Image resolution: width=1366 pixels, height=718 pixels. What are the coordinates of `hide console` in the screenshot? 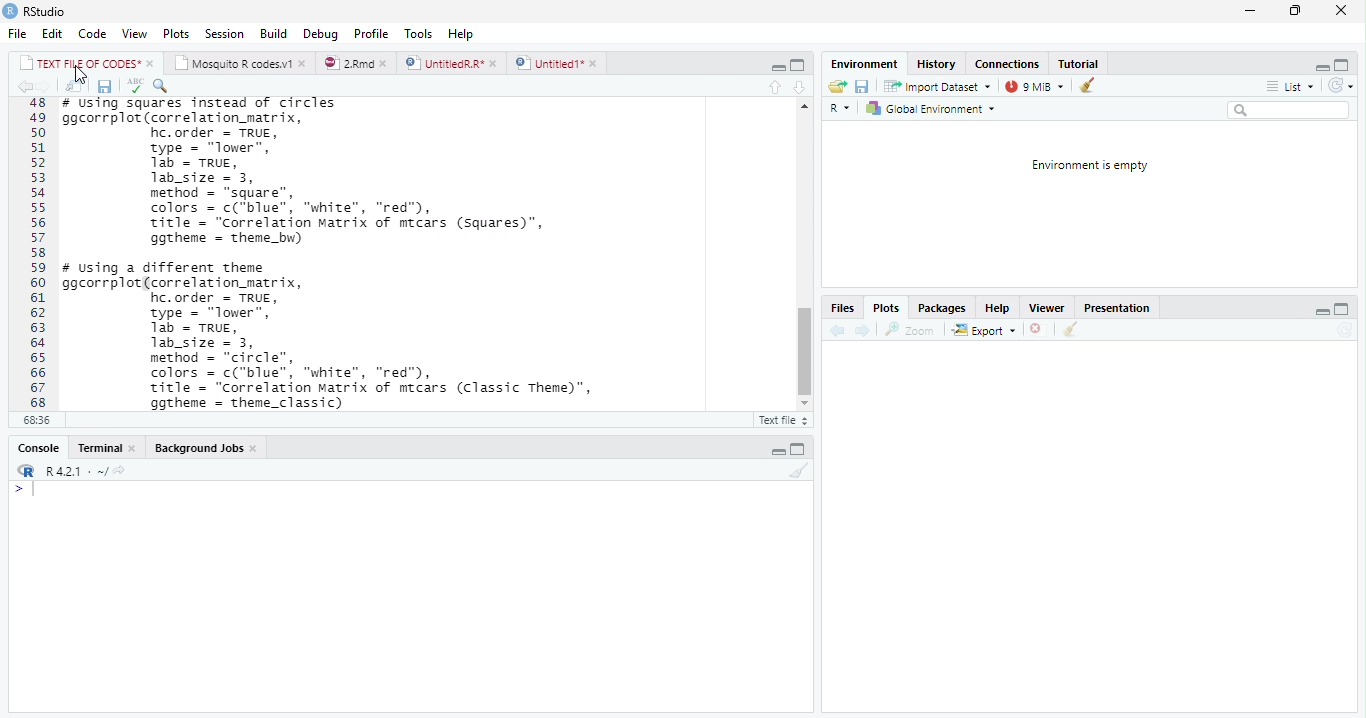 It's located at (1344, 310).